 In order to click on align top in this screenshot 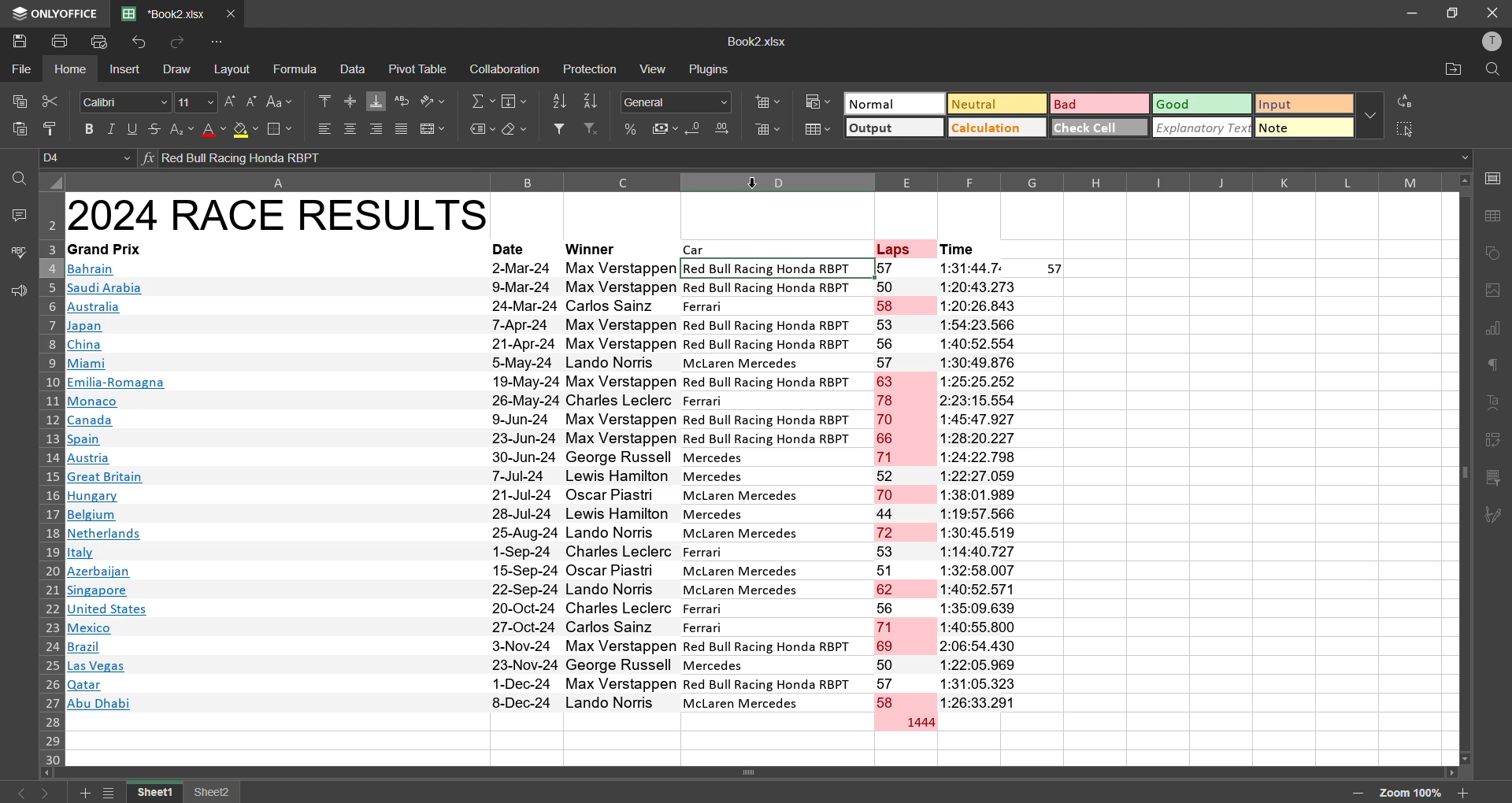, I will do `click(324, 99)`.